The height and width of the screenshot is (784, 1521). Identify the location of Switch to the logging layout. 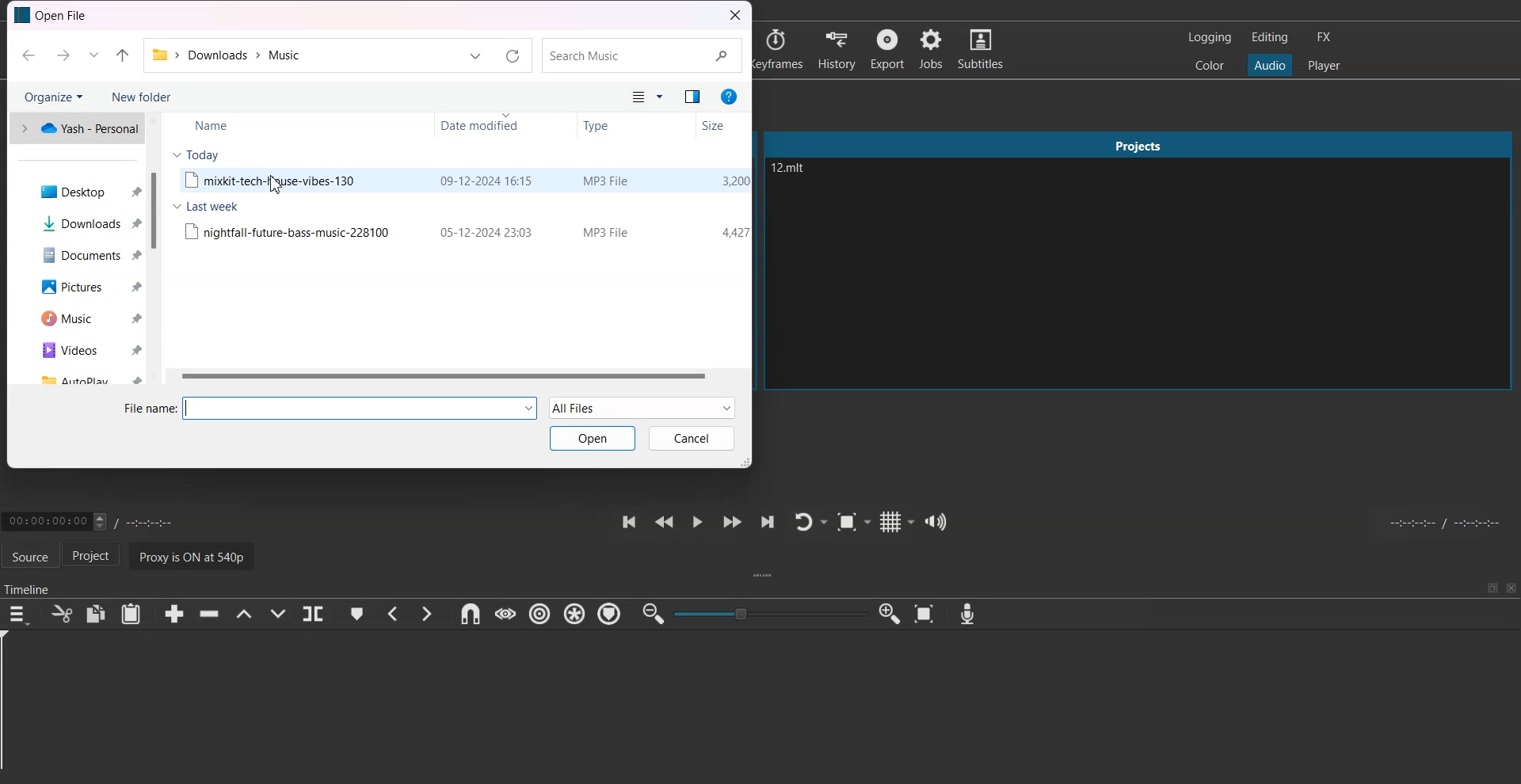
(1208, 37).